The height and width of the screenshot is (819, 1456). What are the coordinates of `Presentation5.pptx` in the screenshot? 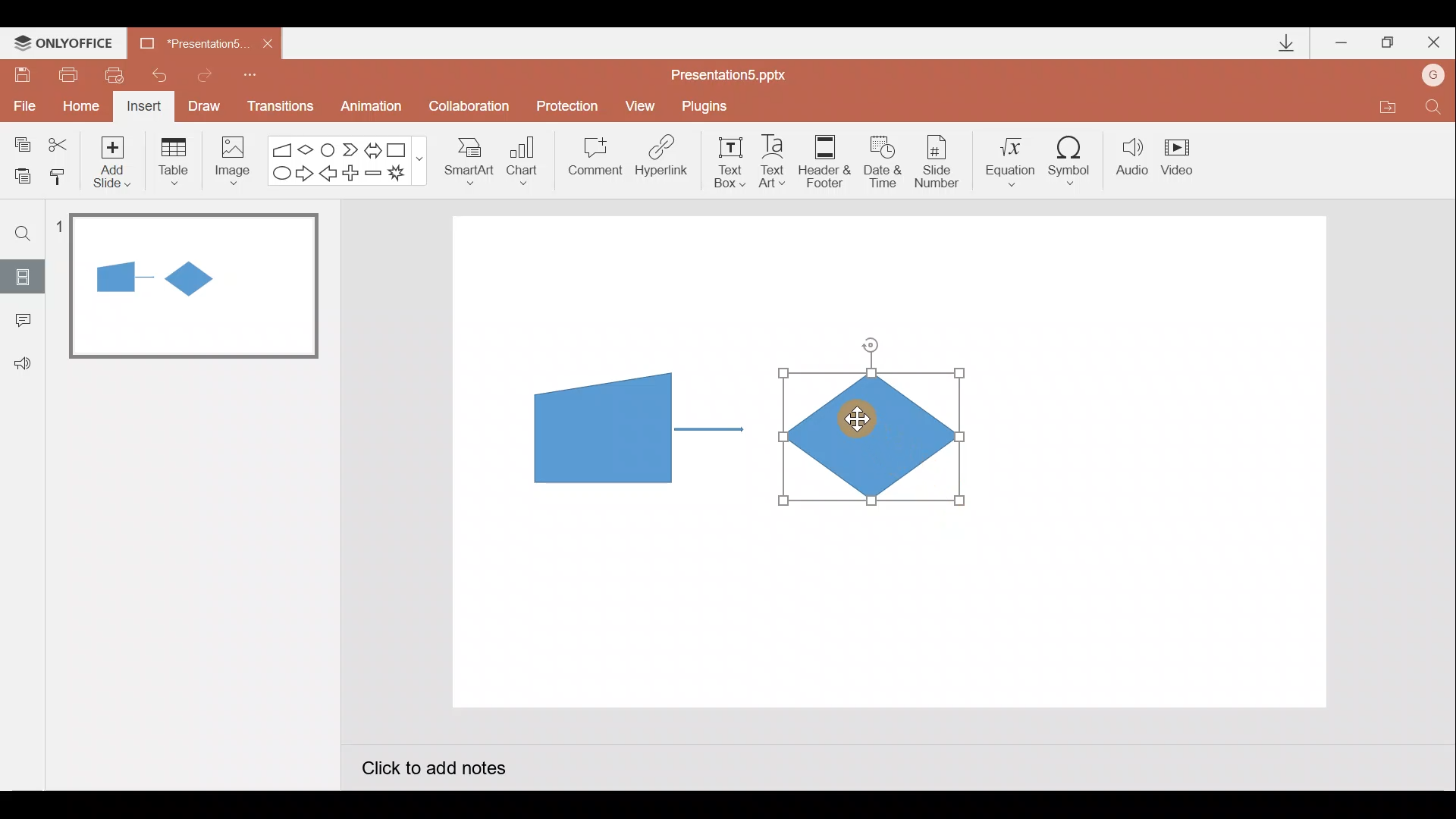 It's located at (739, 71).